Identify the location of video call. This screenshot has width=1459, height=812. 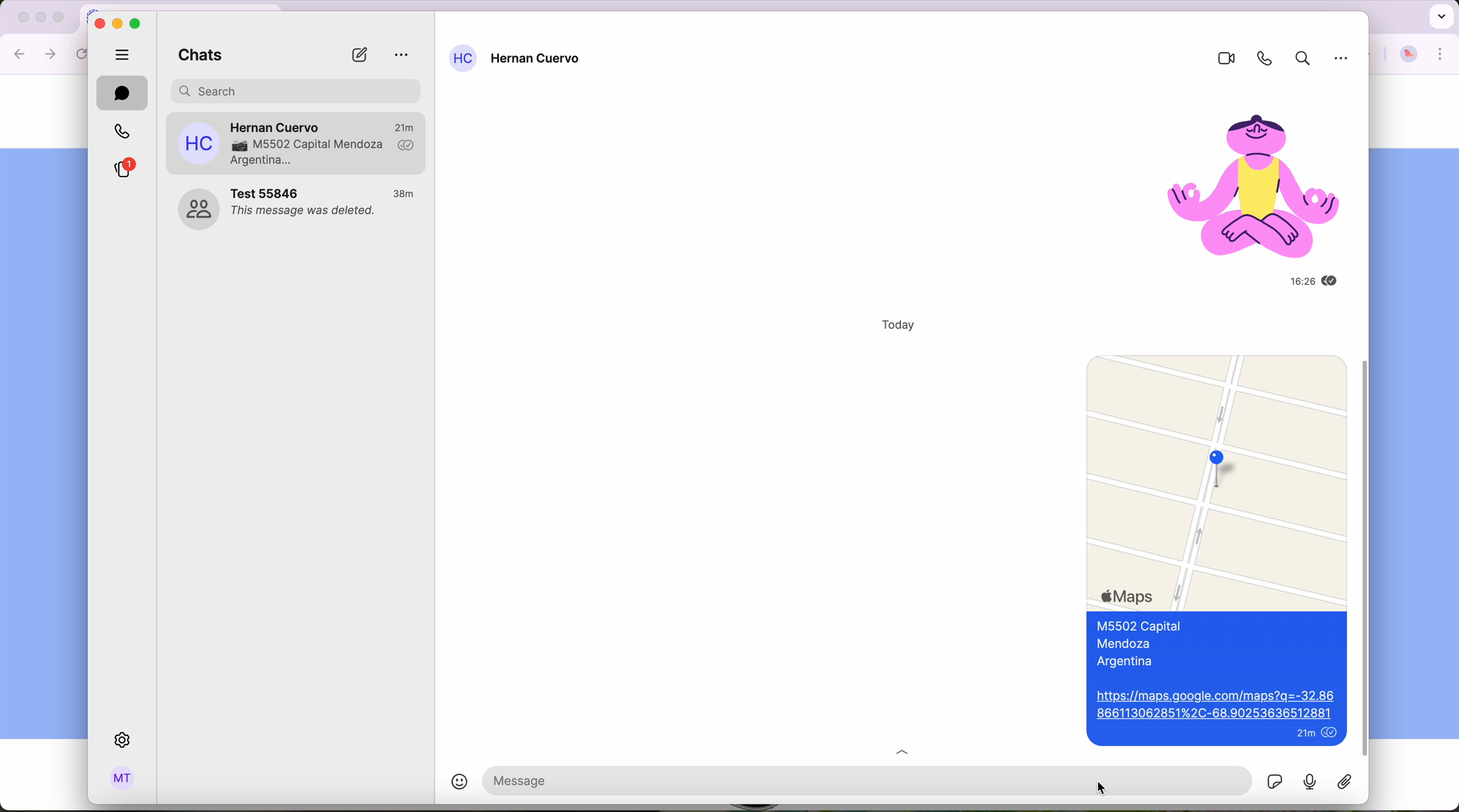
(1221, 59).